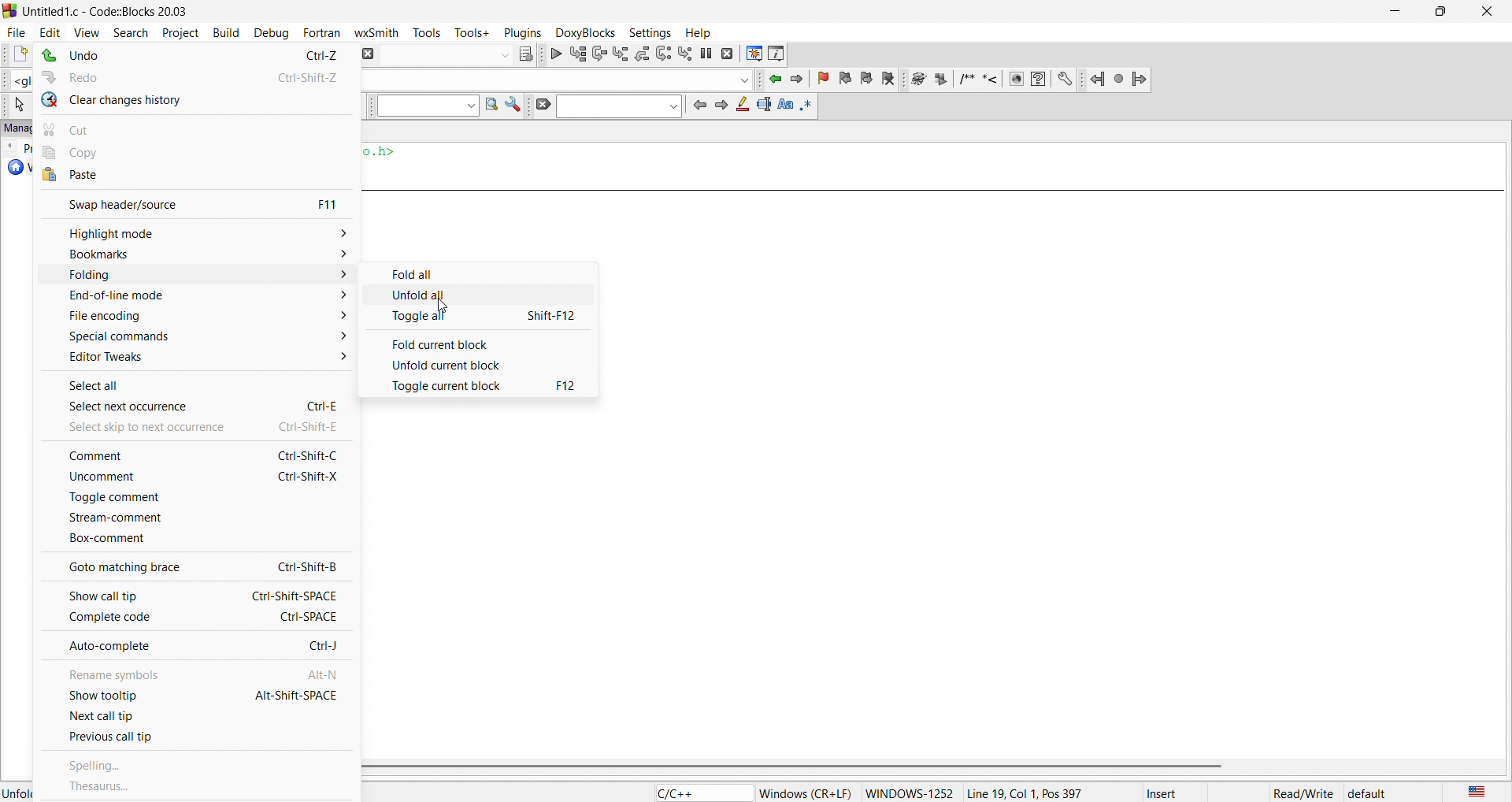 The height and width of the screenshot is (802, 1512). What do you see at coordinates (1065, 79) in the screenshot?
I see `settings` at bounding box center [1065, 79].